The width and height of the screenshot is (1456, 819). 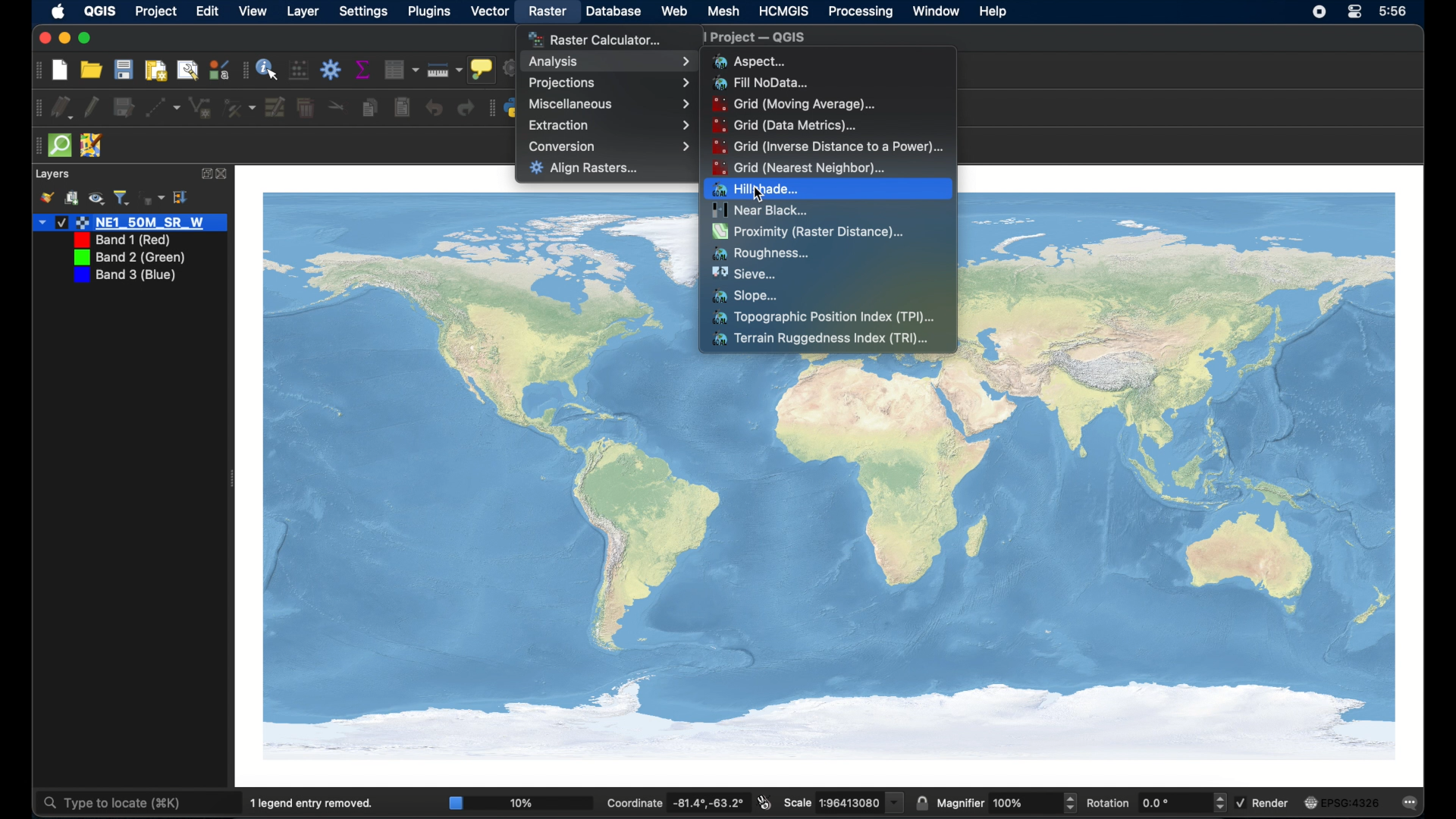 What do you see at coordinates (123, 70) in the screenshot?
I see `save` at bounding box center [123, 70].